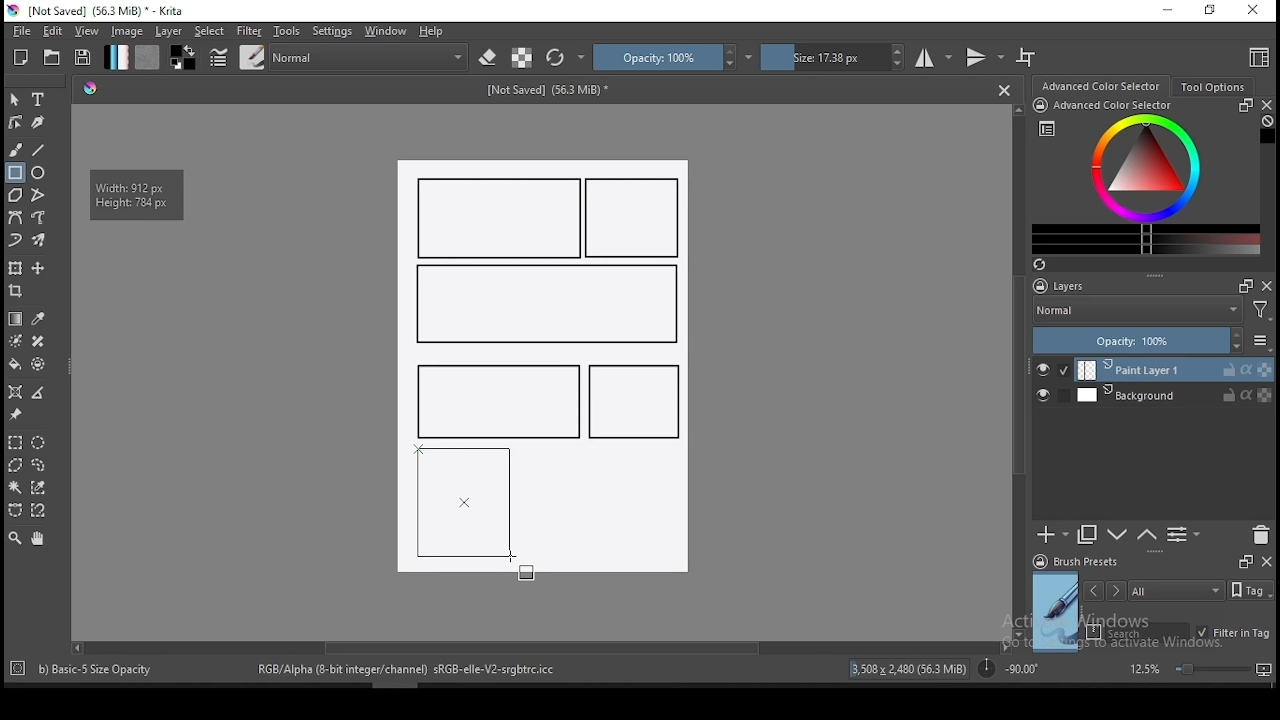 Image resolution: width=1280 pixels, height=720 pixels. Describe the element at coordinates (38, 269) in the screenshot. I see `move a layer` at that location.